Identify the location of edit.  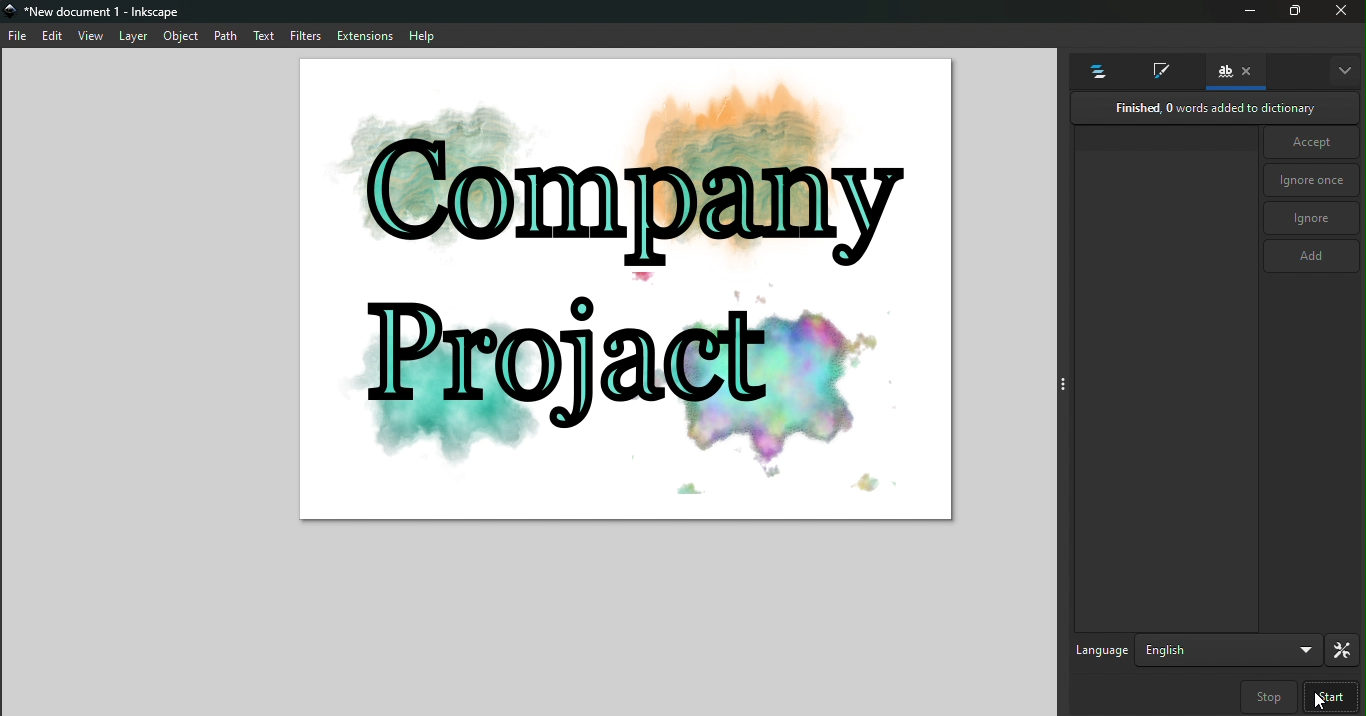
(56, 38).